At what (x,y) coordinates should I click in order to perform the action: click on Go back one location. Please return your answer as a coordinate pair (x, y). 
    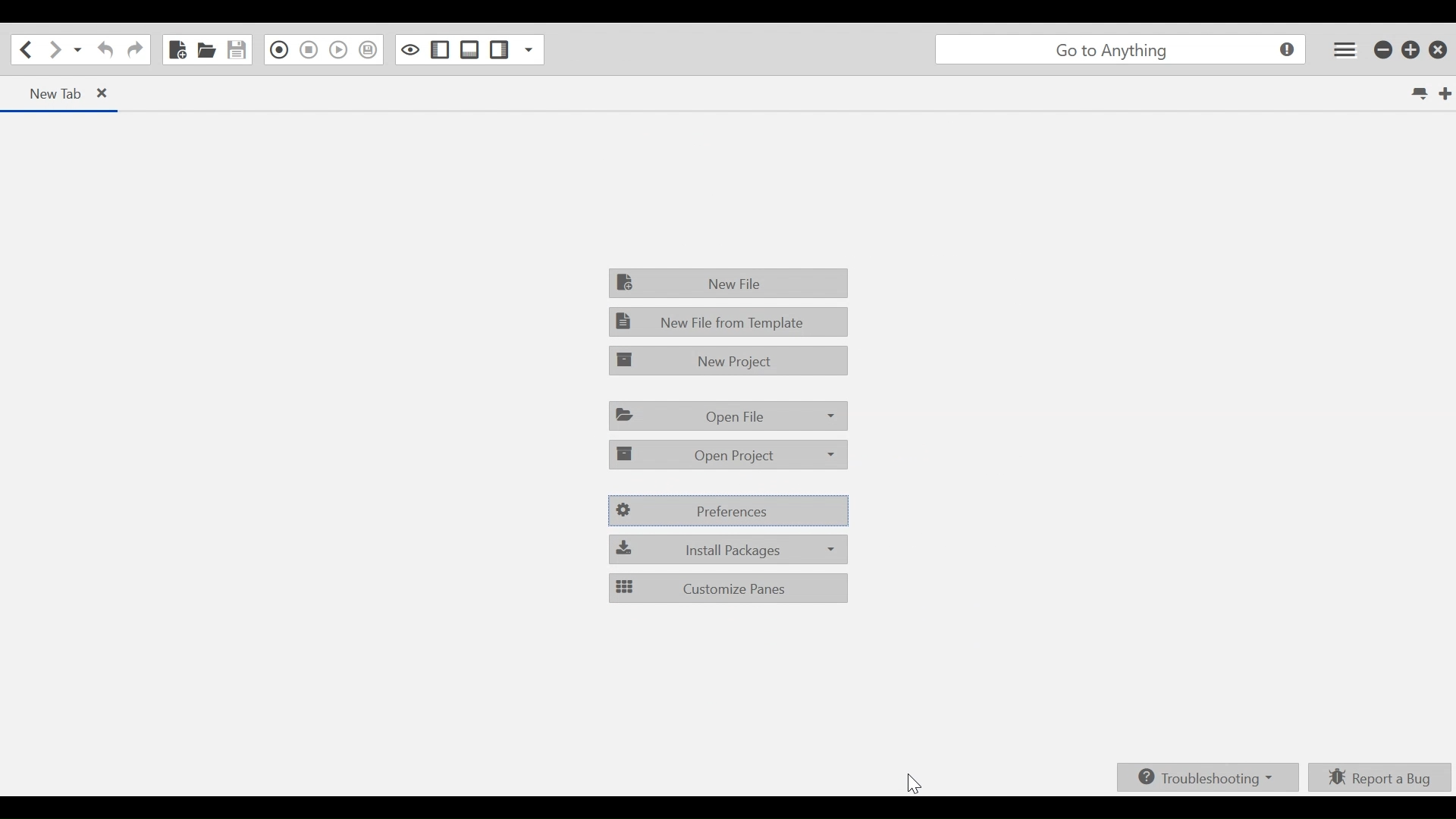
    Looking at the image, I should click on (25, 49).